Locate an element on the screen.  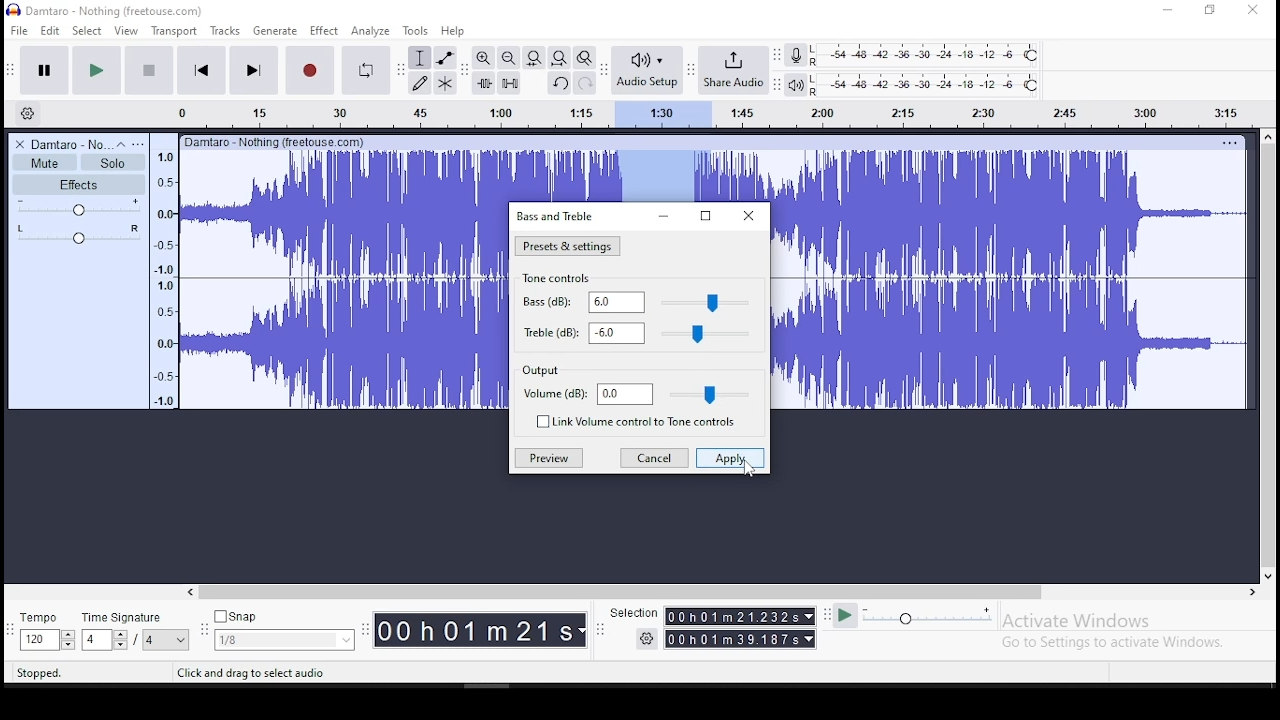
preview is located at coordinates (548, 458).